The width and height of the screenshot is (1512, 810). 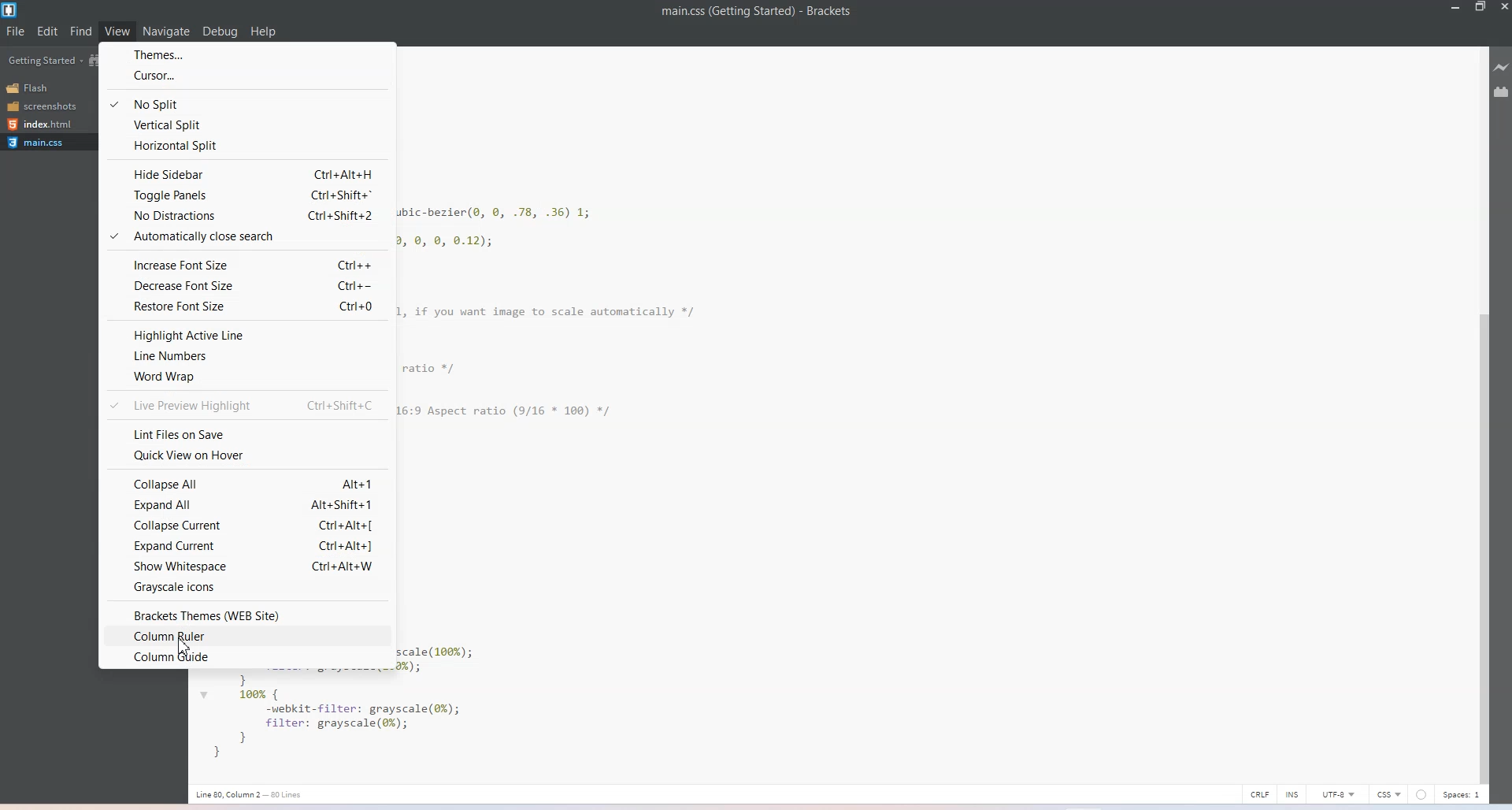 What do you see at coordinates (1462, 795) in the screenshot?
I see `Spaces` at bounding box center [1462, 795].